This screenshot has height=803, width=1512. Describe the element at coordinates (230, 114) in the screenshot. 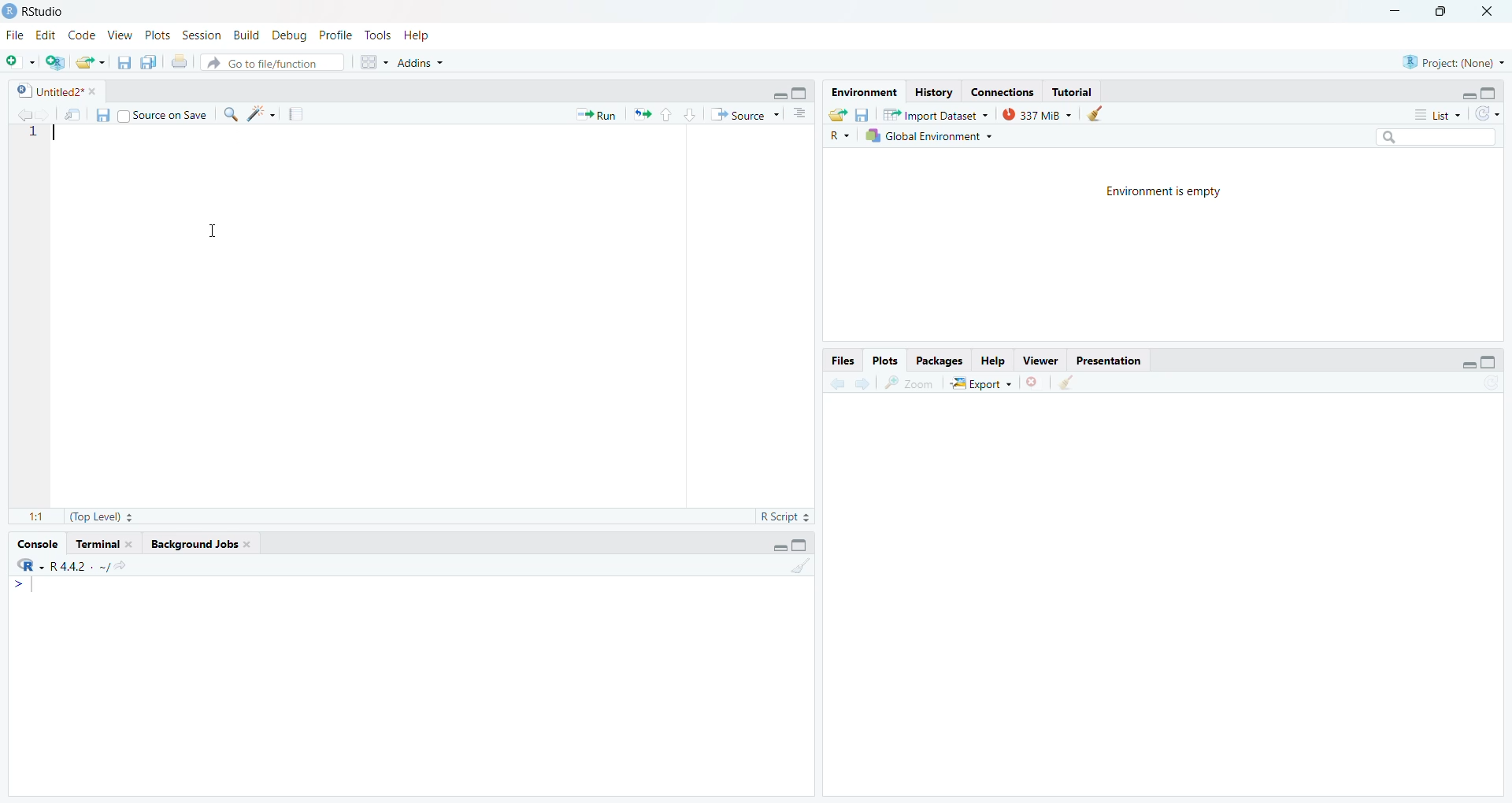

I see `find/replace` at that location.